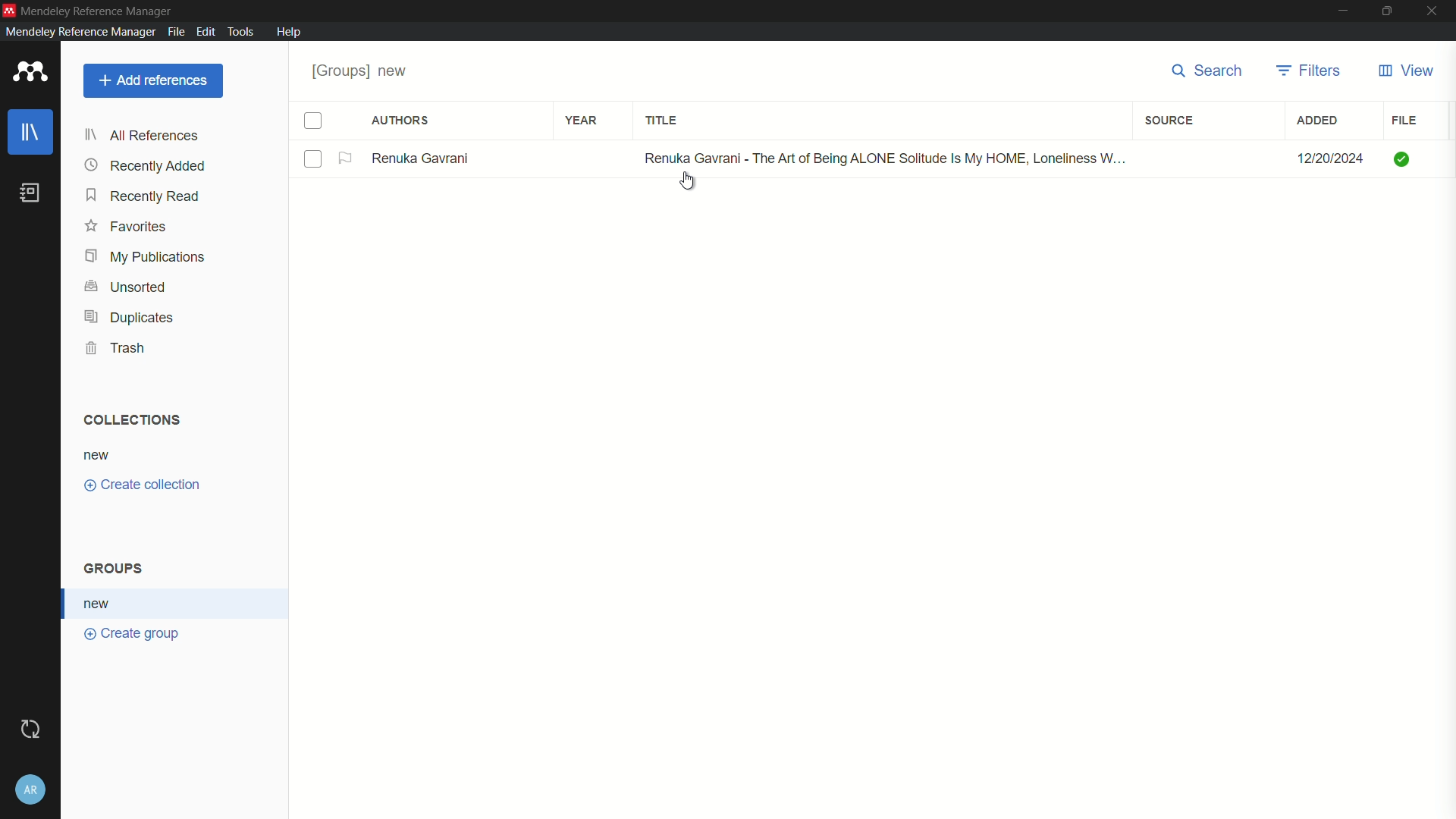 The width and height of the screenshot is (1456, 819). Describe the element at coordinates (1407, 72) in the screenshot. I see `view` at that location.